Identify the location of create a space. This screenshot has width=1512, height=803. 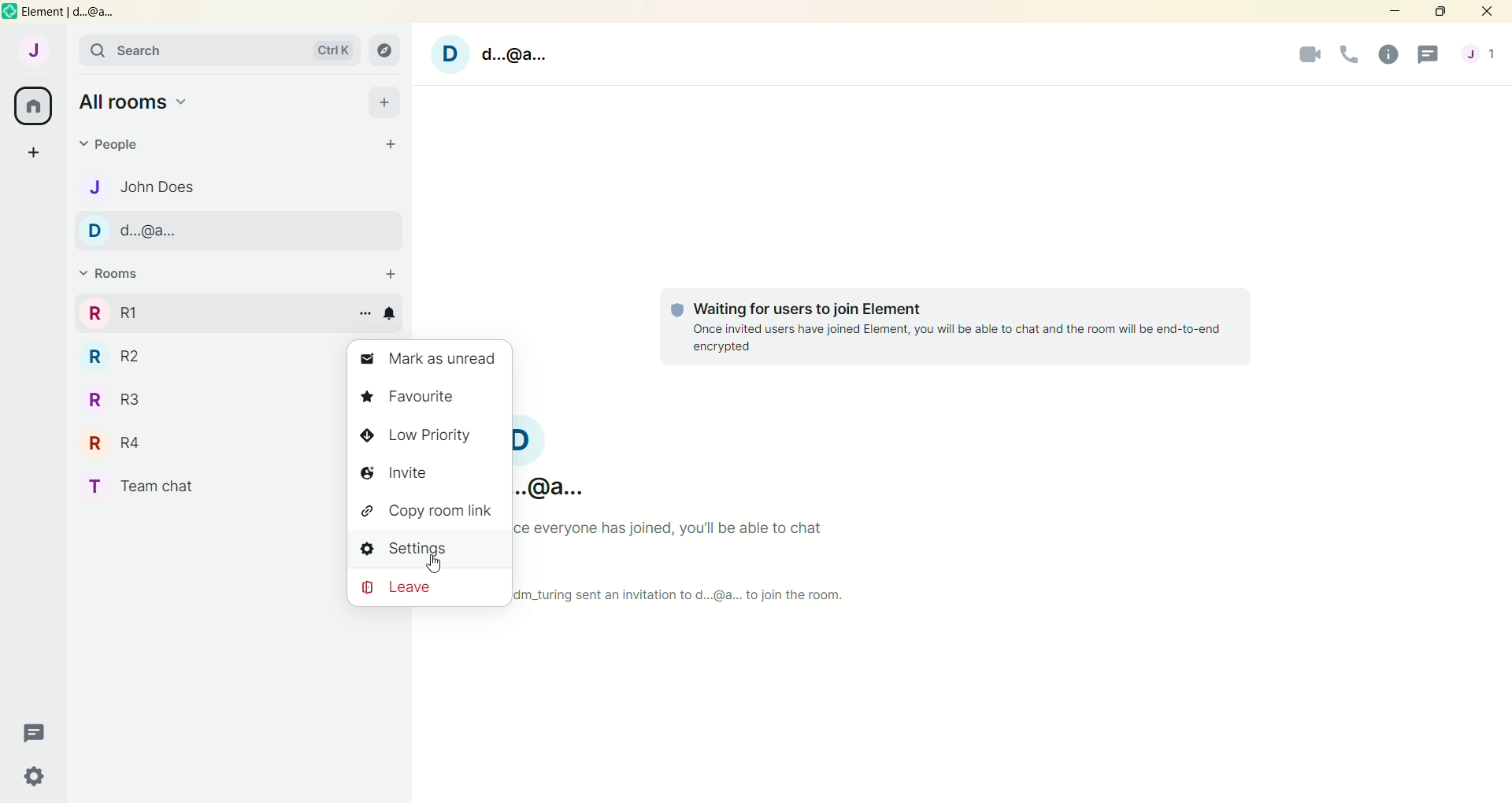
(34, 154).